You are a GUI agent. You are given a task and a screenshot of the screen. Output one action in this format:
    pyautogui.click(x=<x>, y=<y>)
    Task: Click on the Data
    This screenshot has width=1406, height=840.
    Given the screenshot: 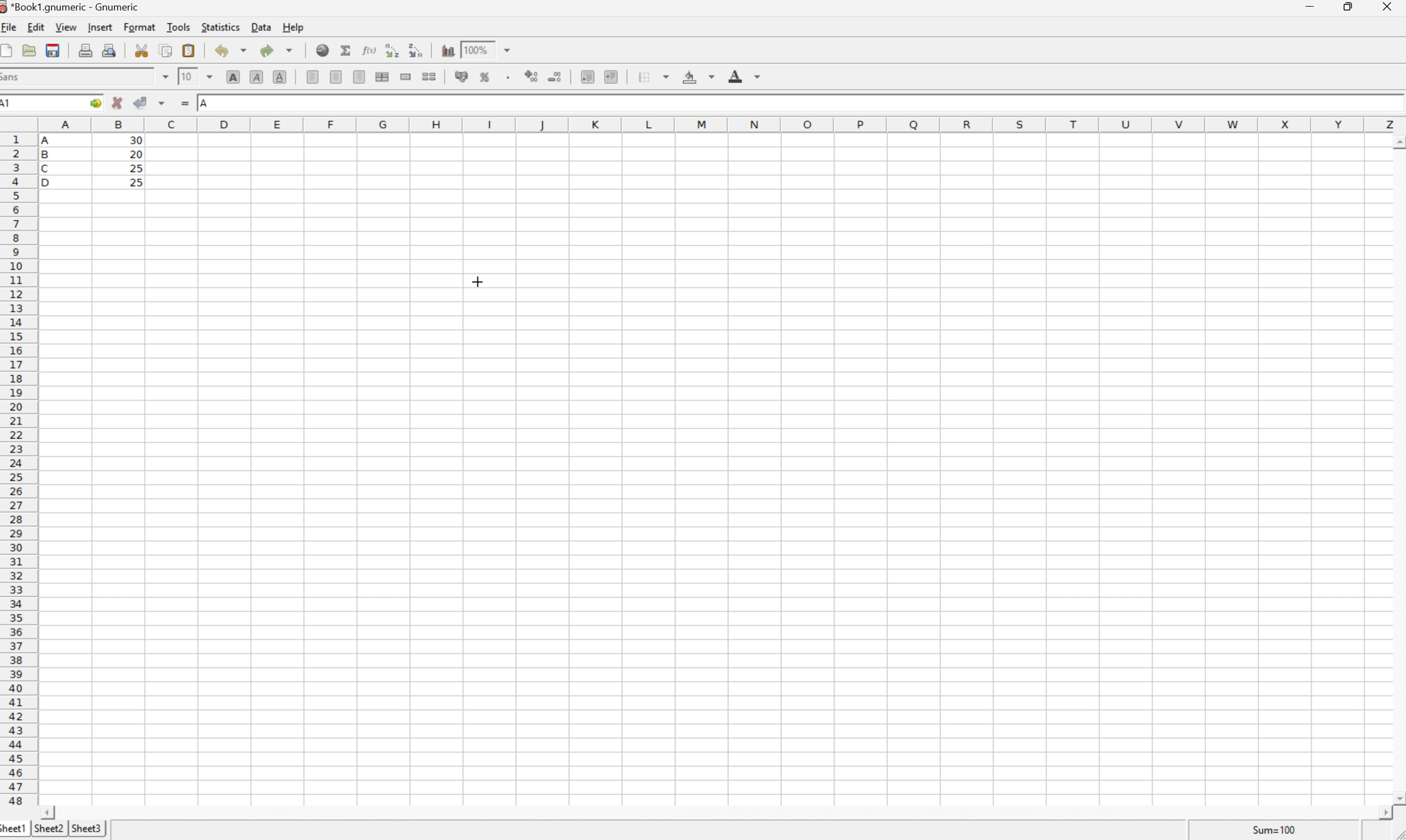 What is the action you would take?
    pyautogui.click(x=260, y=27)
    